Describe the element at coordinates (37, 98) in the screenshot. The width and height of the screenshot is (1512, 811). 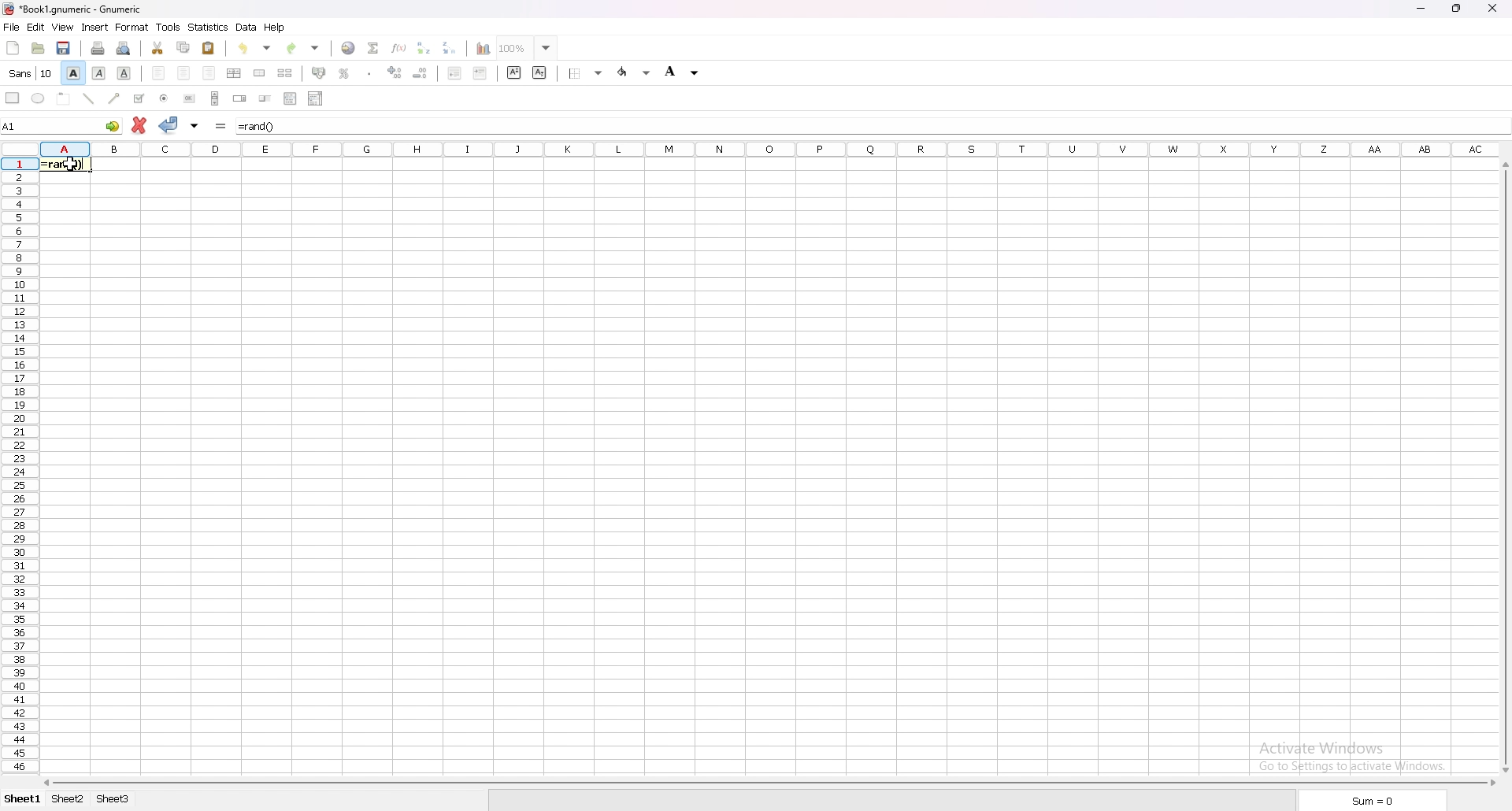
I see `ellipse` at that location.